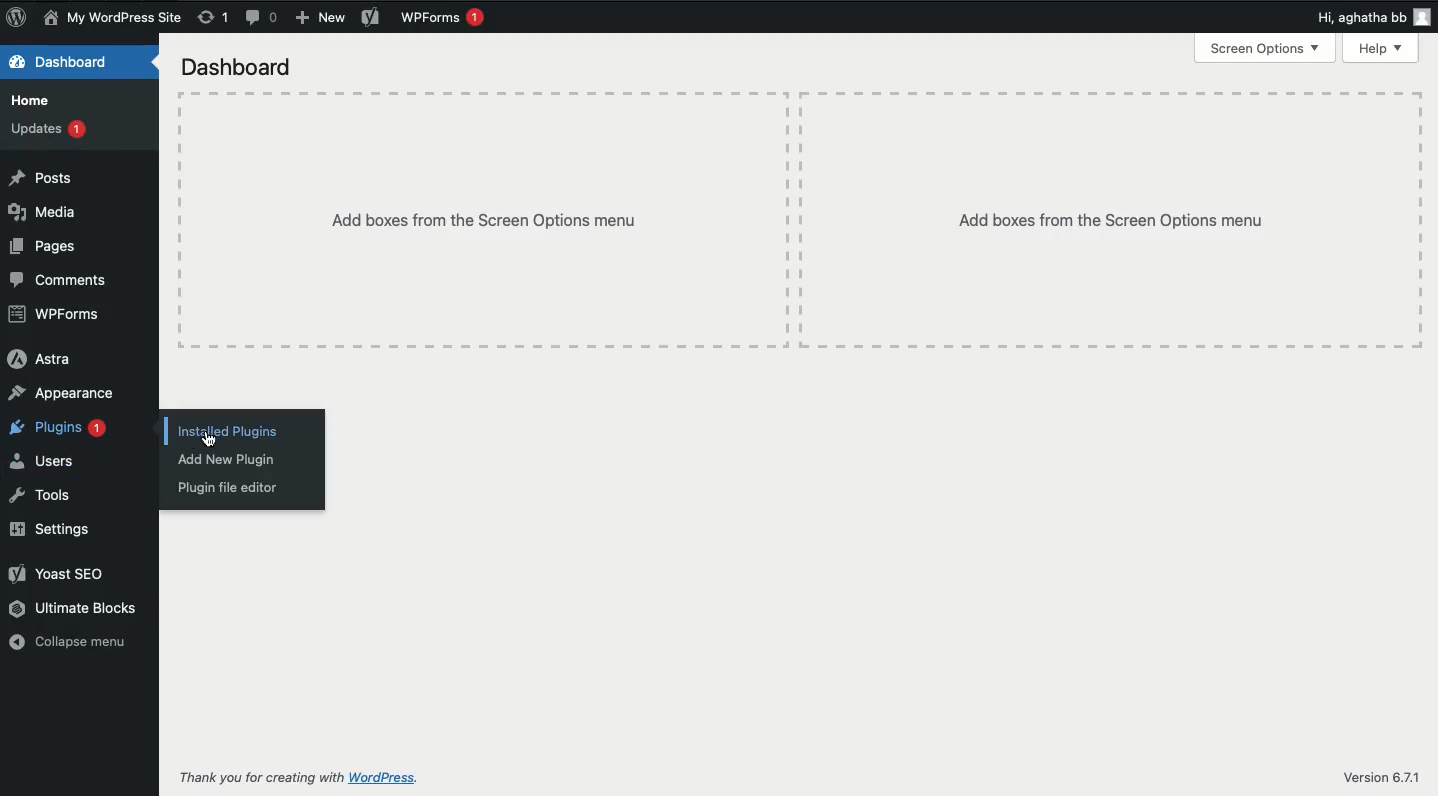 This screenshot has width=1438, height=796. I want to click on WPForms, so click(66, 316).